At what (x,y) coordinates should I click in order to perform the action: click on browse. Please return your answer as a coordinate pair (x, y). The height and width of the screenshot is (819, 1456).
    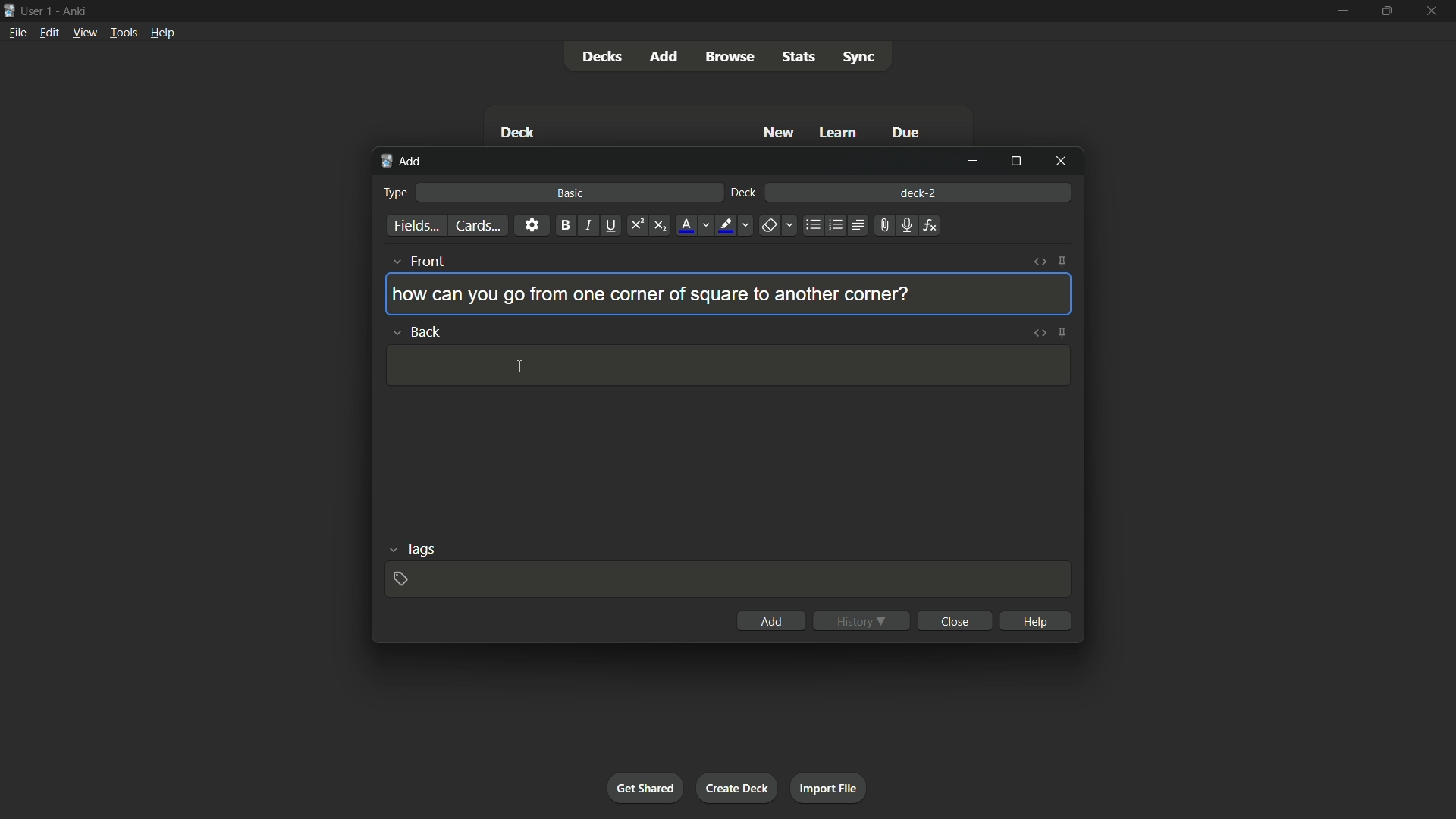
    Looking at the image, I should click on (731, 57).